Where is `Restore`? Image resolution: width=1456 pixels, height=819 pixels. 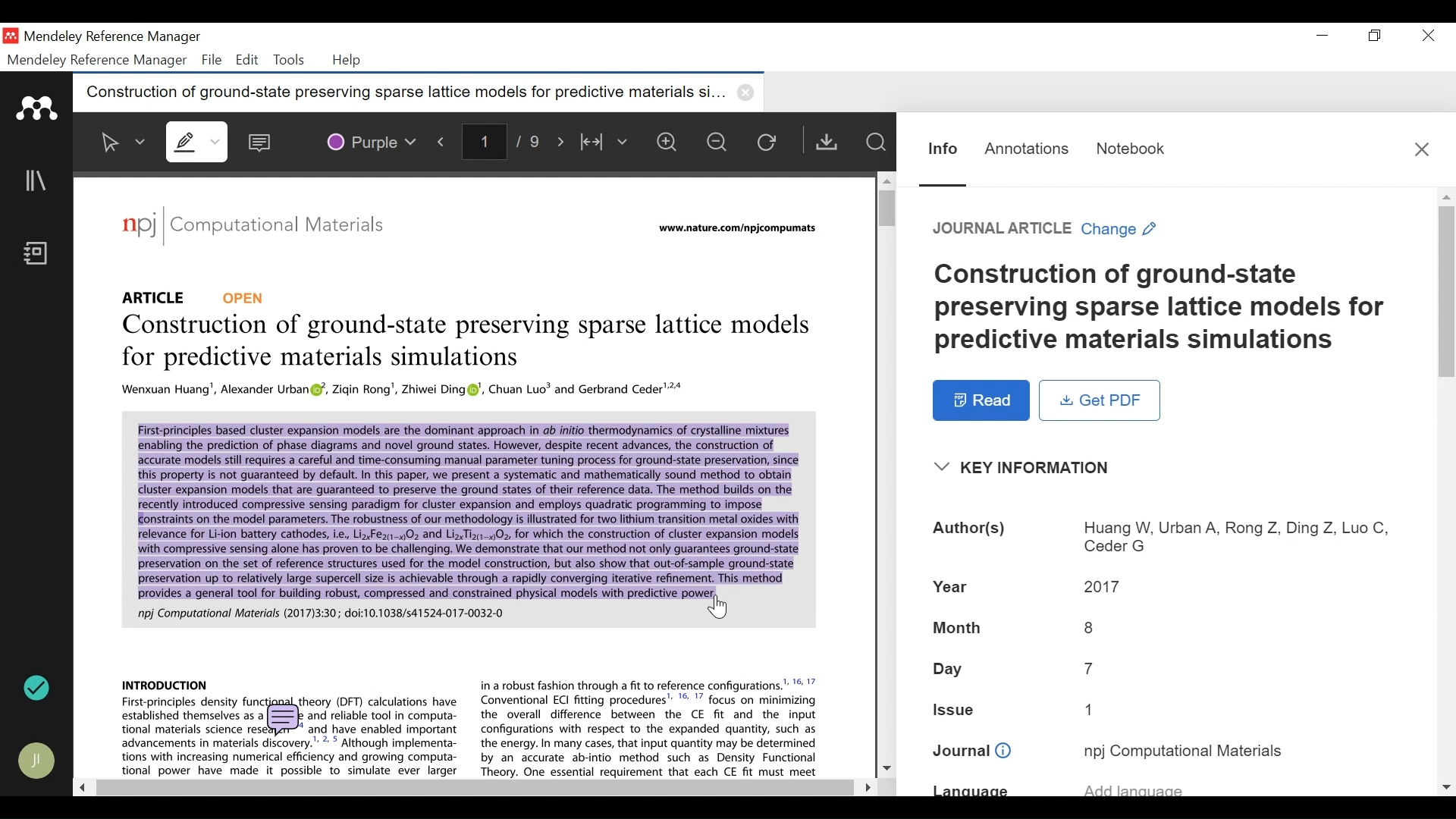 Restore is located at coordinates (1376, 36).